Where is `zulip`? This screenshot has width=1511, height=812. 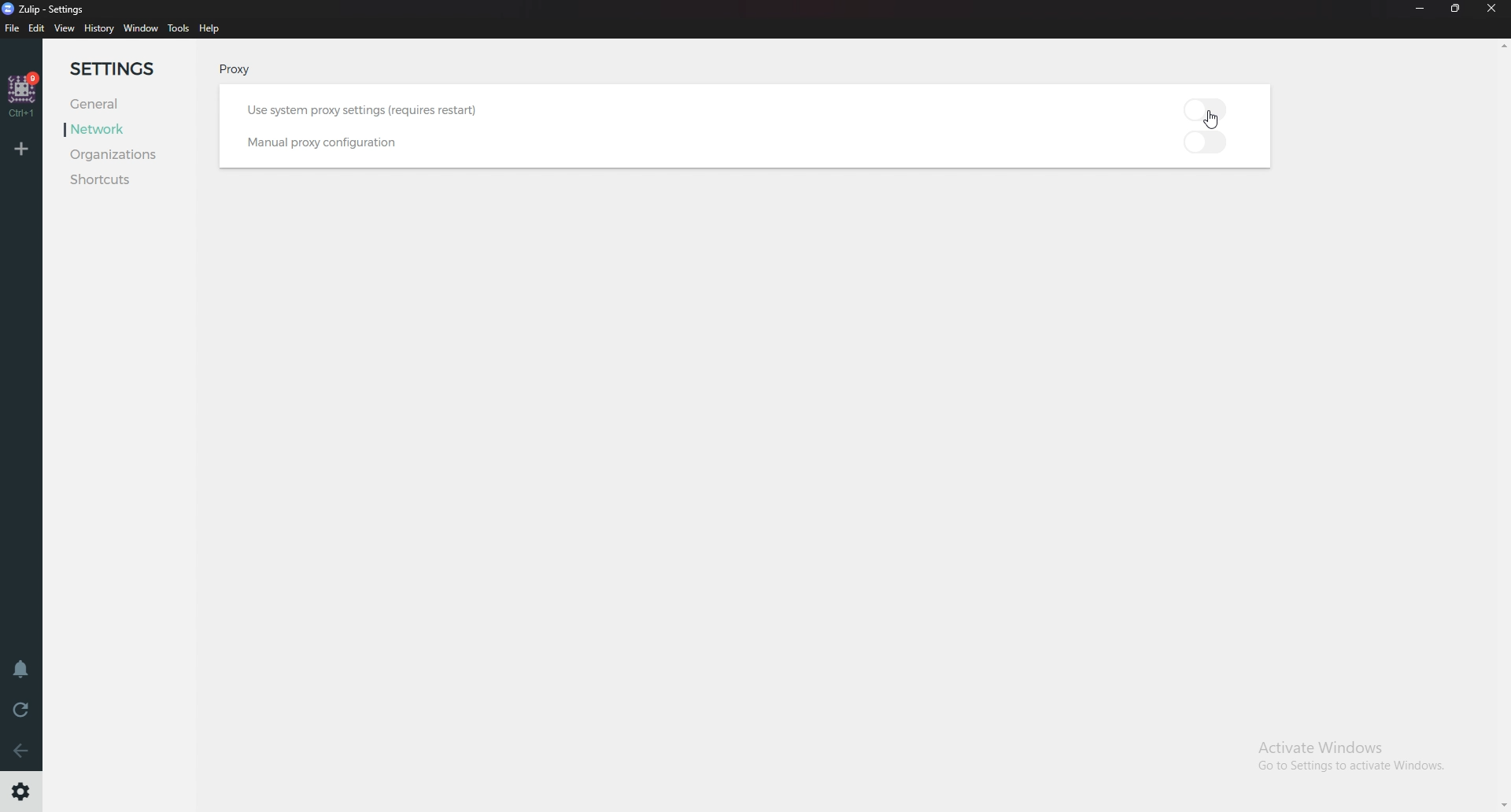 zulip is located at coordinates (39, 8).